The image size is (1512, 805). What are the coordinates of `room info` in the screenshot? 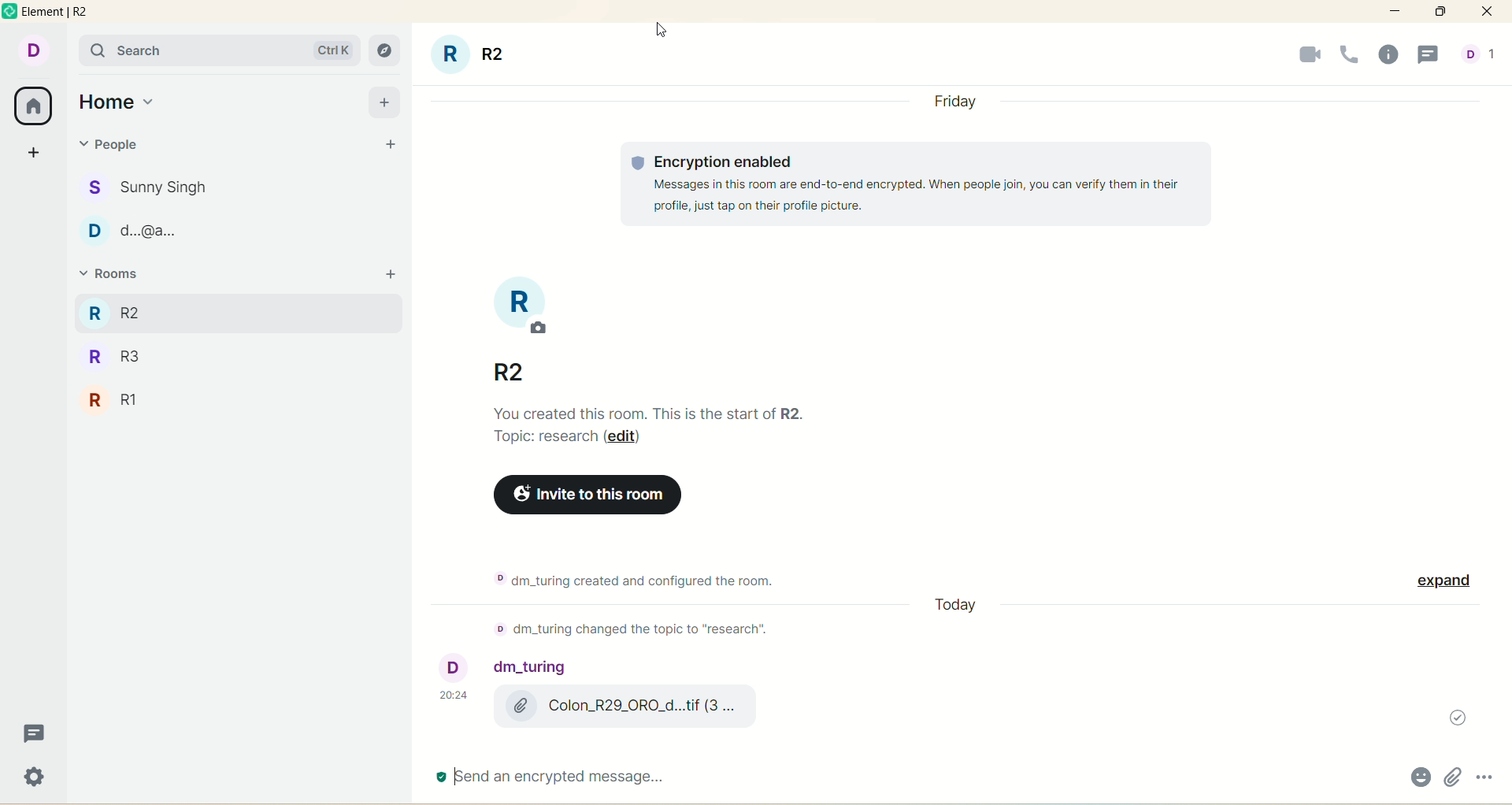 It's located at (1393, 55).